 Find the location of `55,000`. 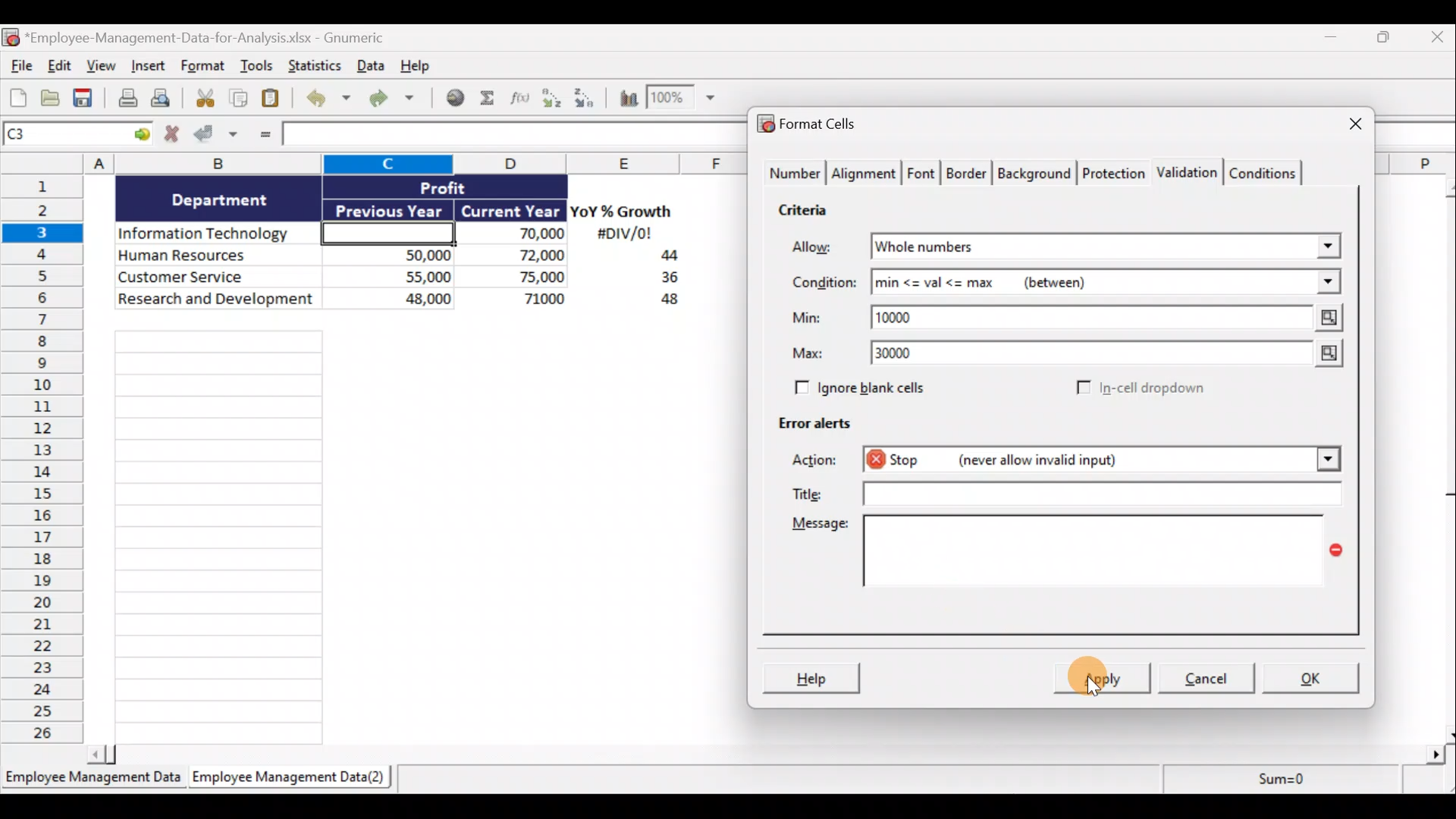

55,000 is located at coordinates (397, 276).